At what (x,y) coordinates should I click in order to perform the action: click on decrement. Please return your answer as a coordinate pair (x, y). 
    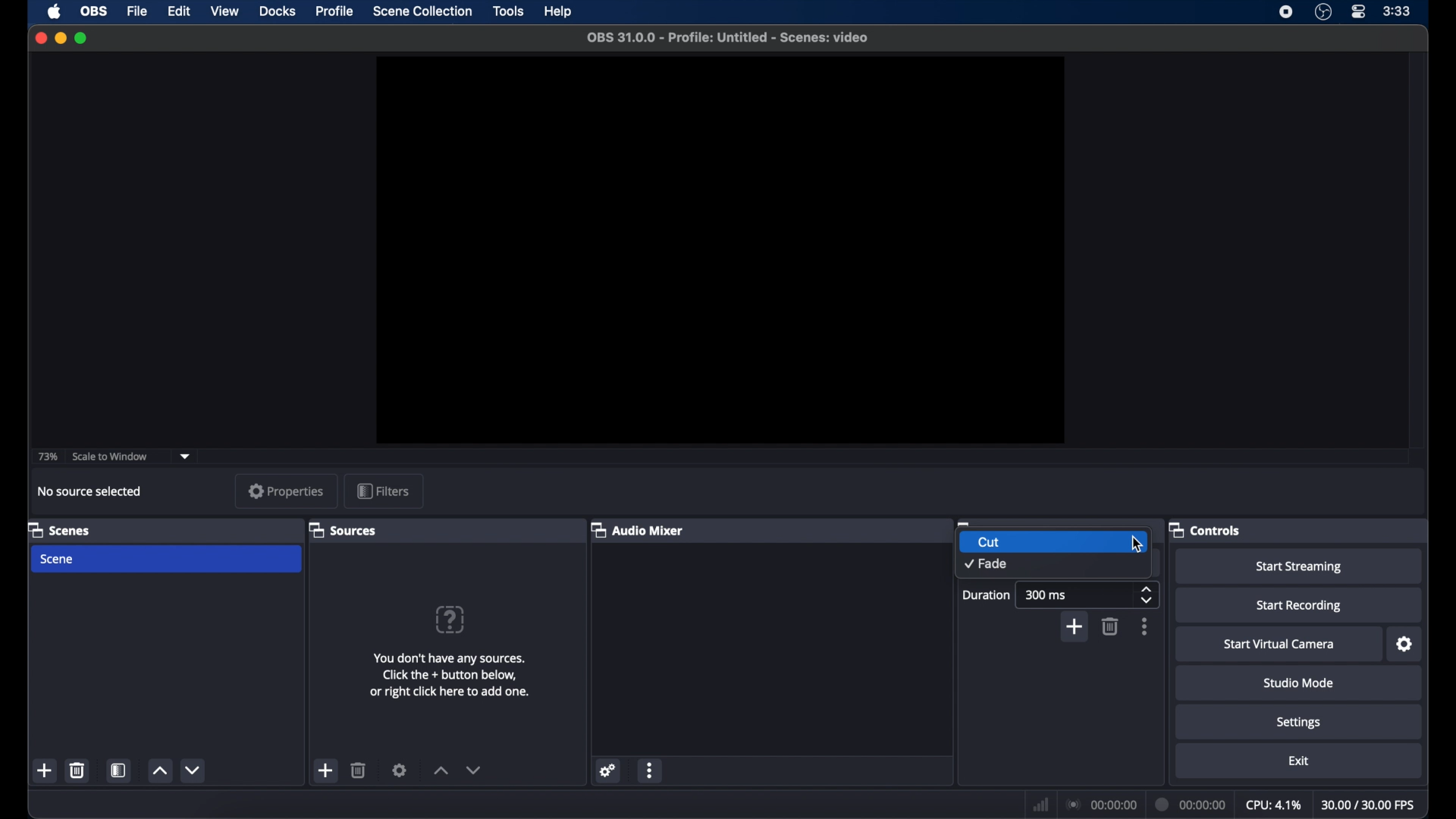
    Looking at the image, I should click on (474, 770).